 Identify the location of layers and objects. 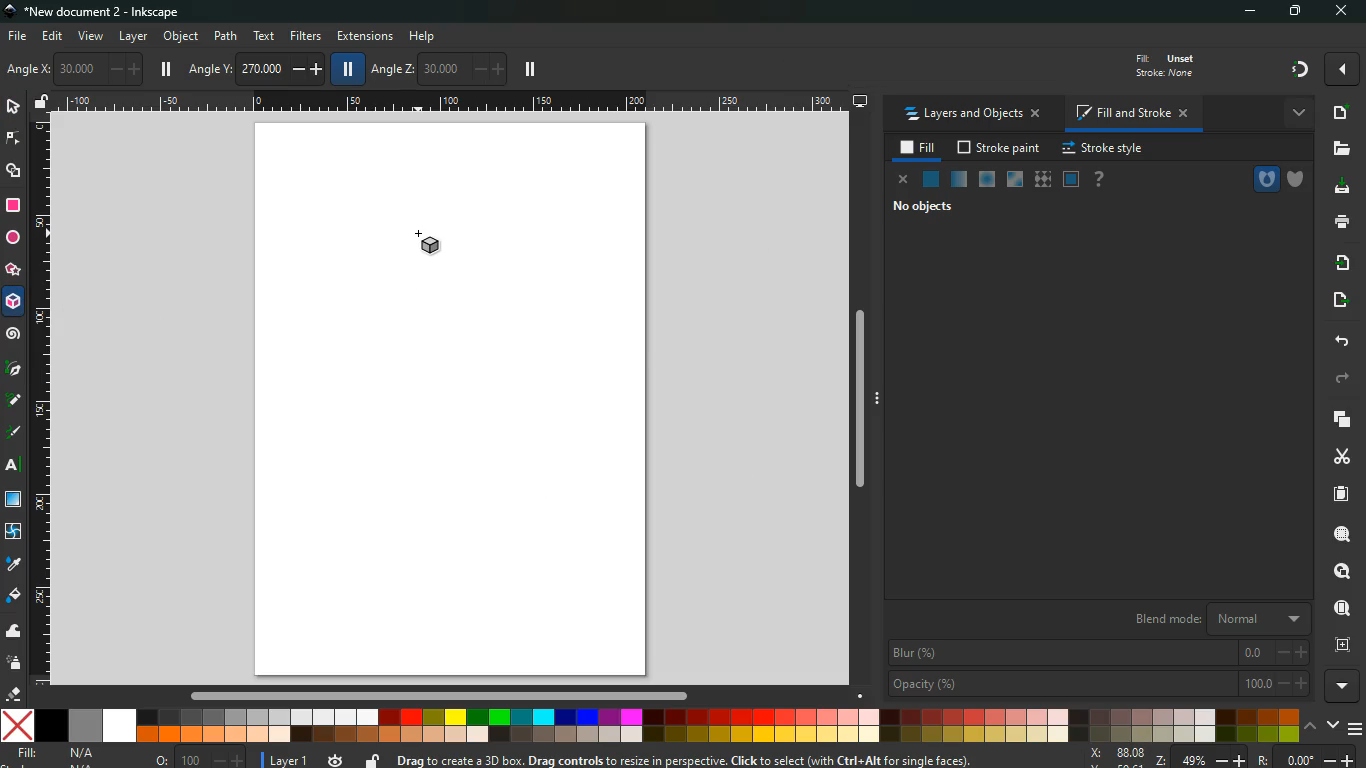
(972, 115).